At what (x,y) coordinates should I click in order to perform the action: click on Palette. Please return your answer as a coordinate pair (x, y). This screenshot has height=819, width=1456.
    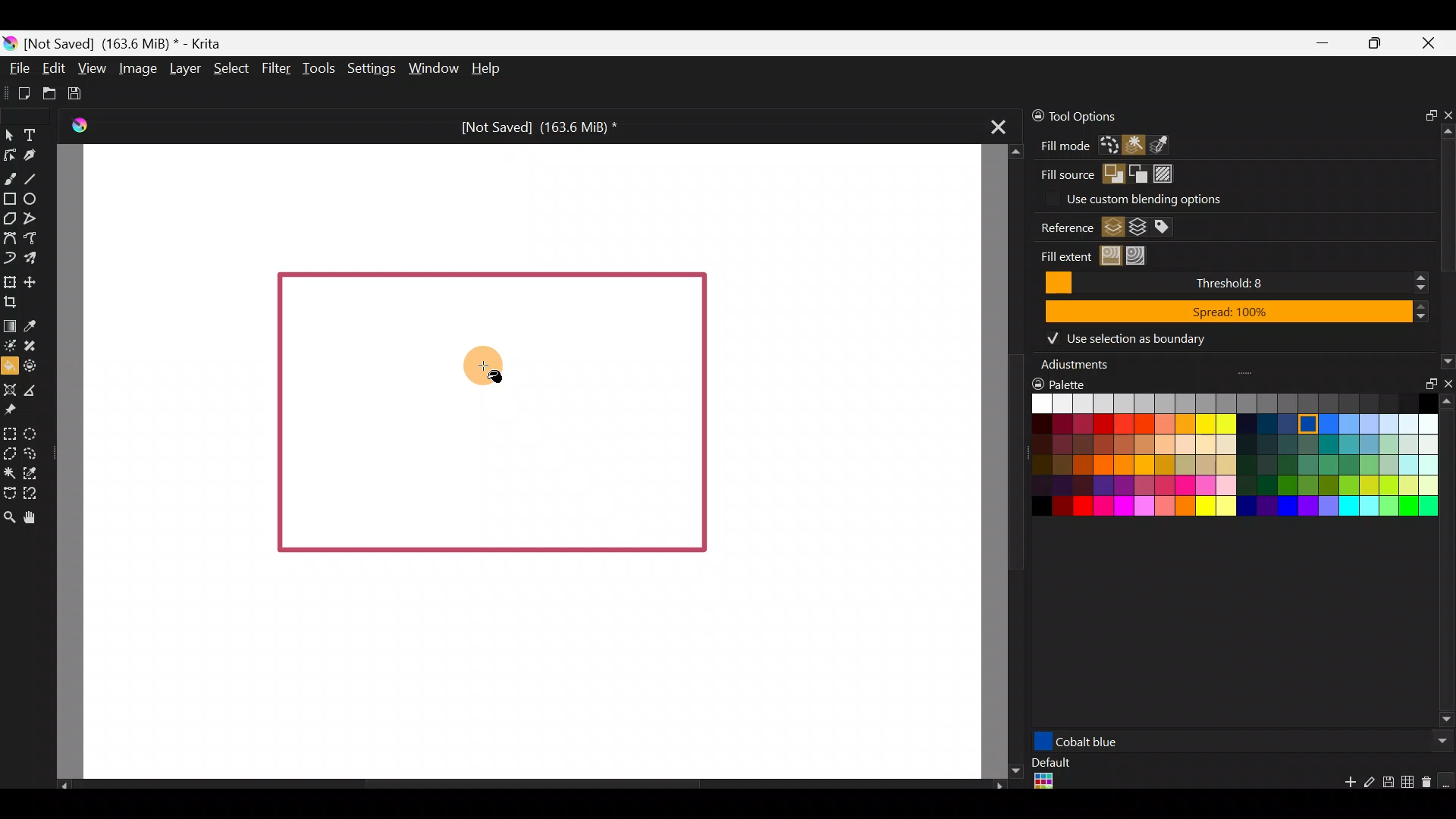
    Looking at the image, I should click on (1068, 381).